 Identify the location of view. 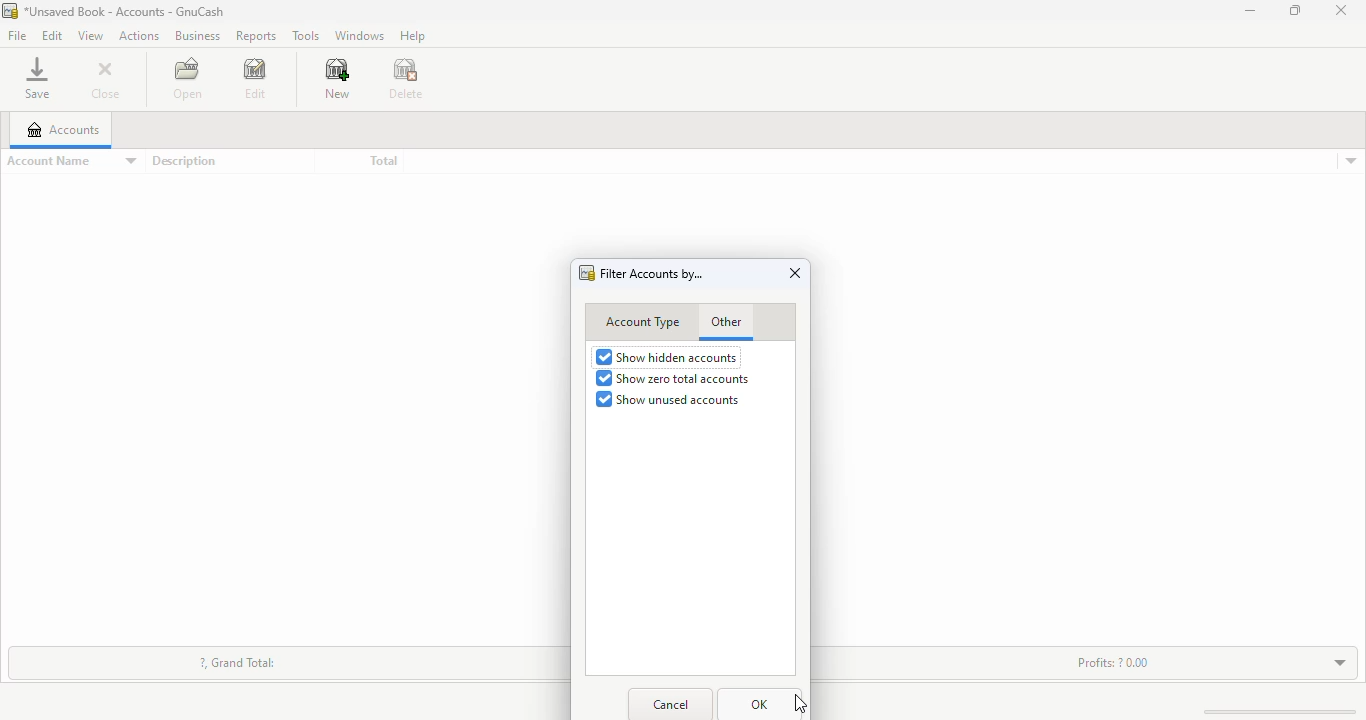
(90, 35).